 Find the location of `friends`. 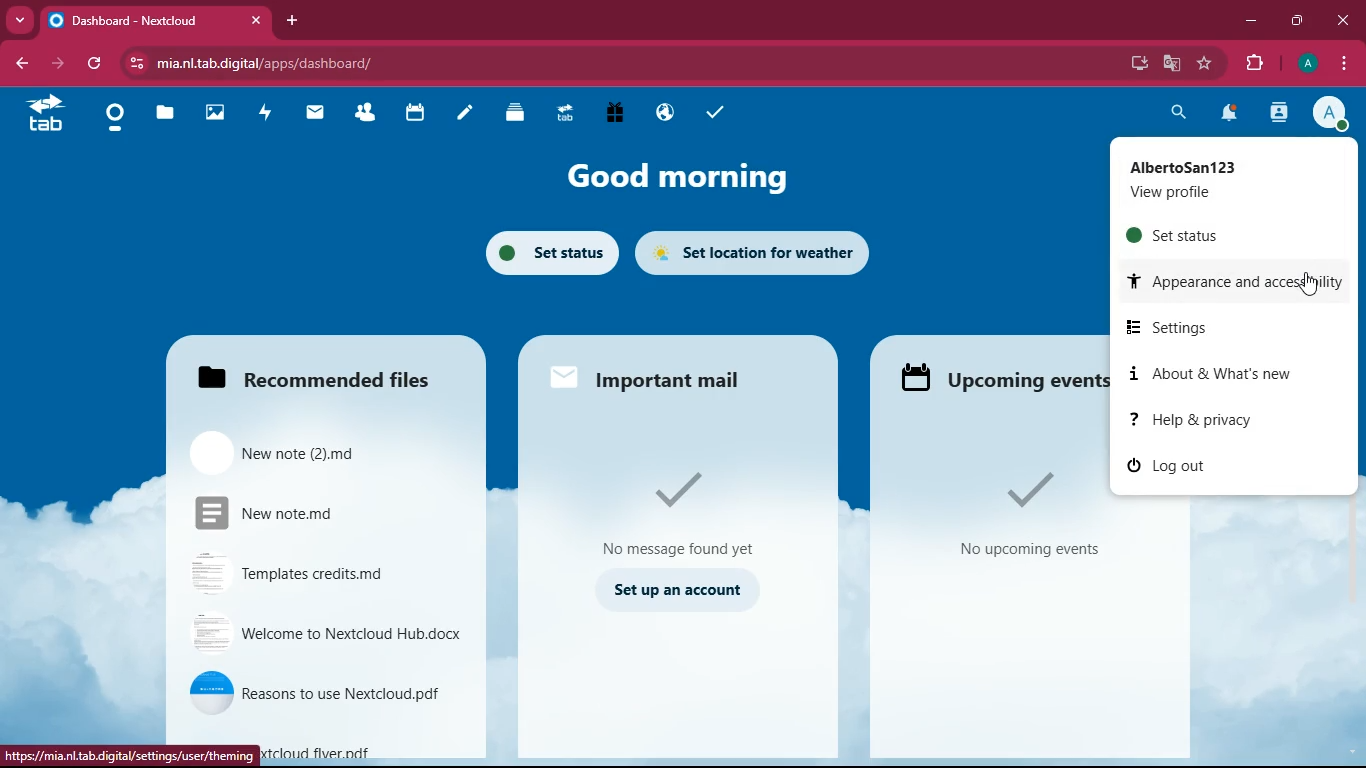

friends is located at coordinates (367, 114).